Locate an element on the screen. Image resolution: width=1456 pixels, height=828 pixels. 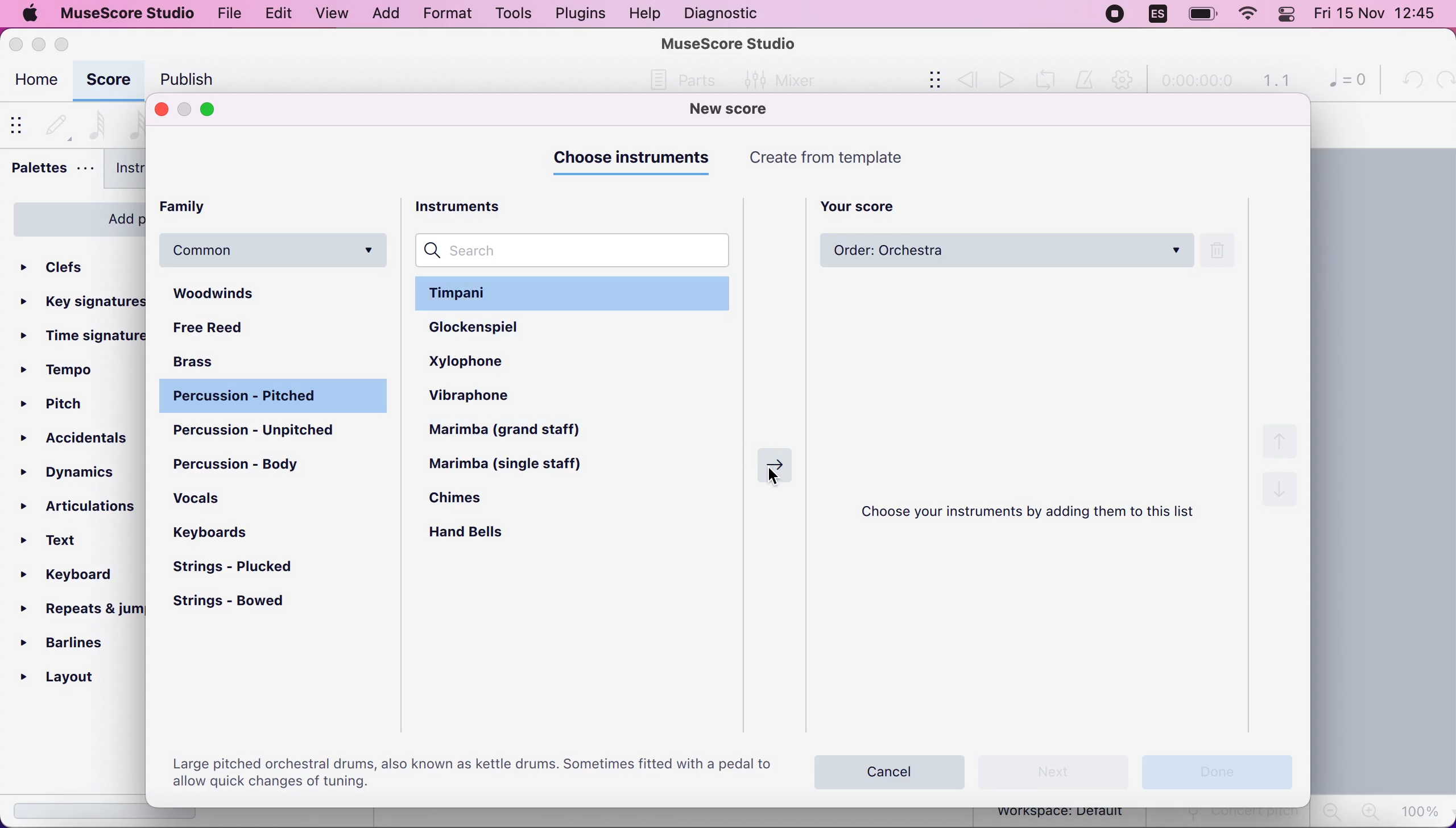
new score is located at coordinates (744, 110).